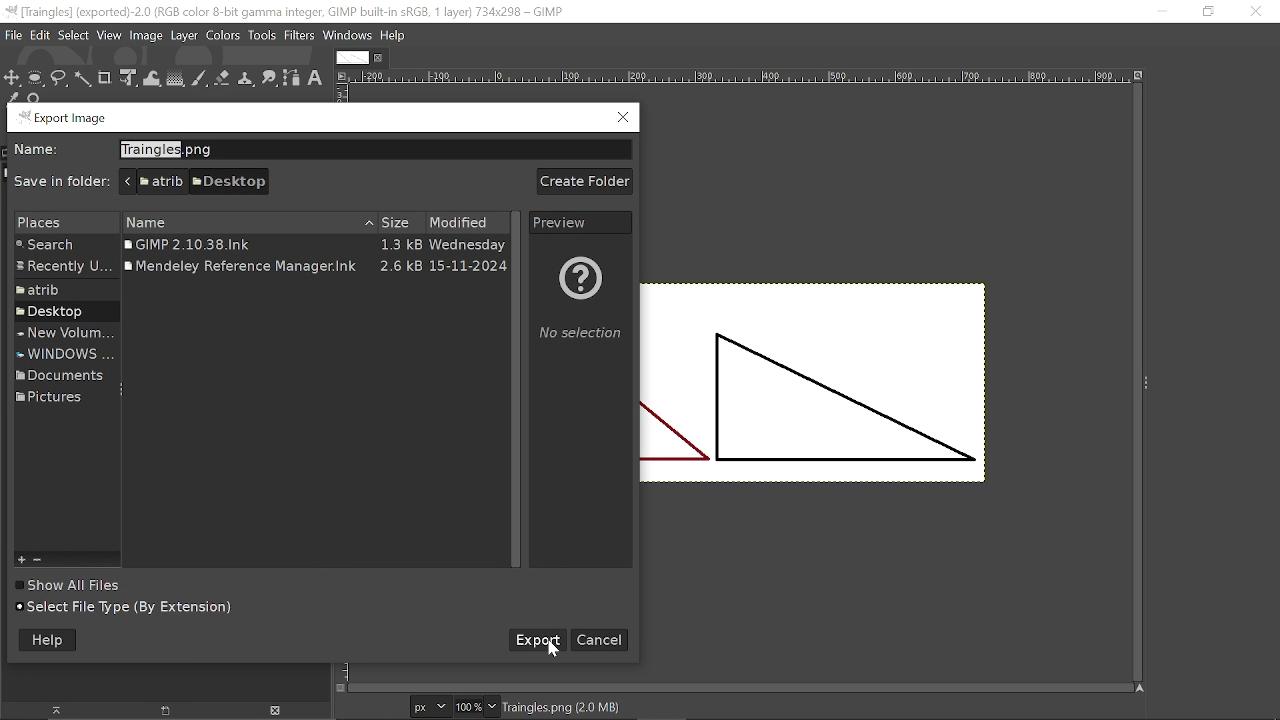  I want to click on Layer, so click(184, 36).